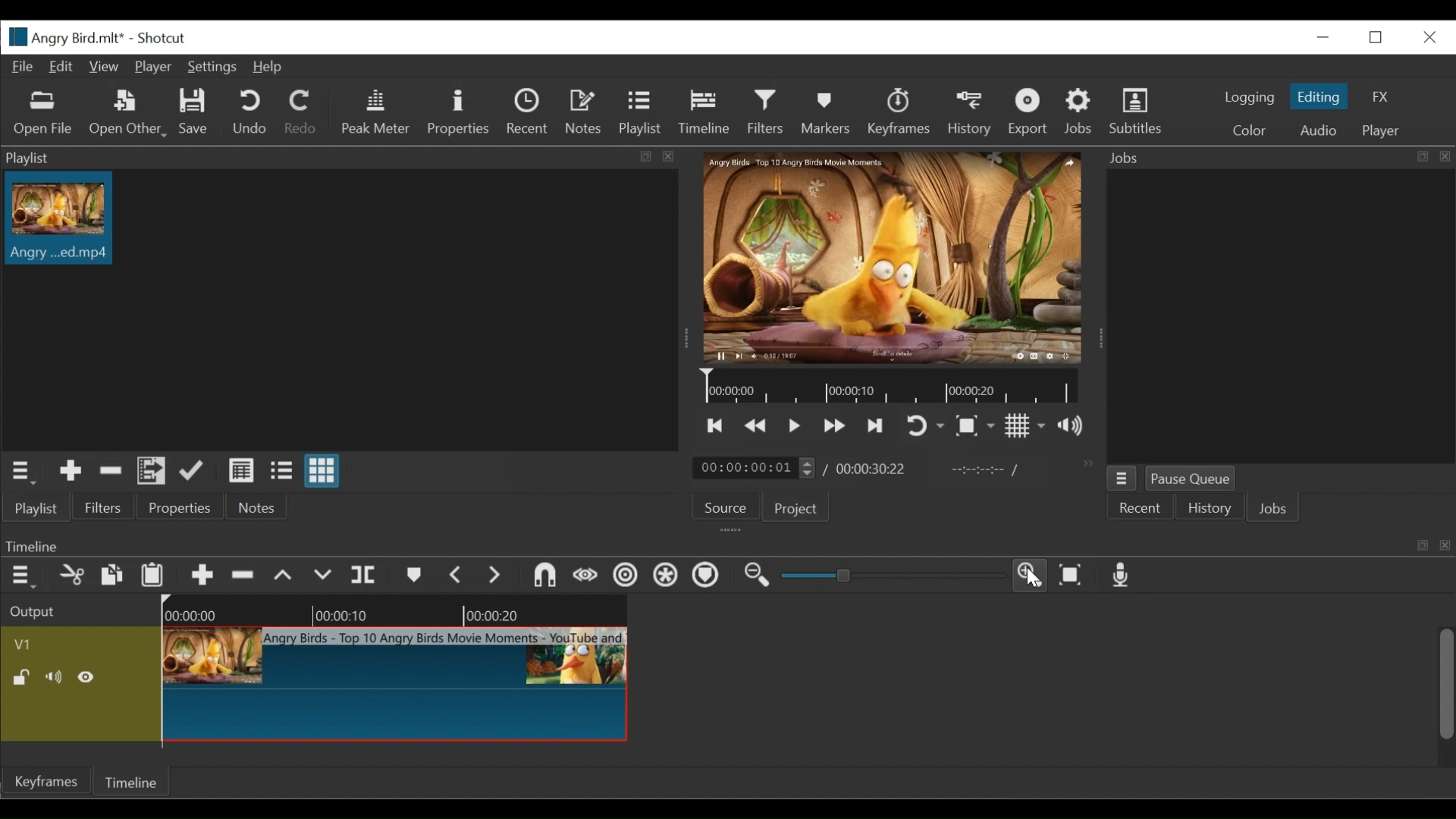  What do you see at coordinates (39, 510) in the screenshot?
I see `Playlist` at bounding box center [39, 510].